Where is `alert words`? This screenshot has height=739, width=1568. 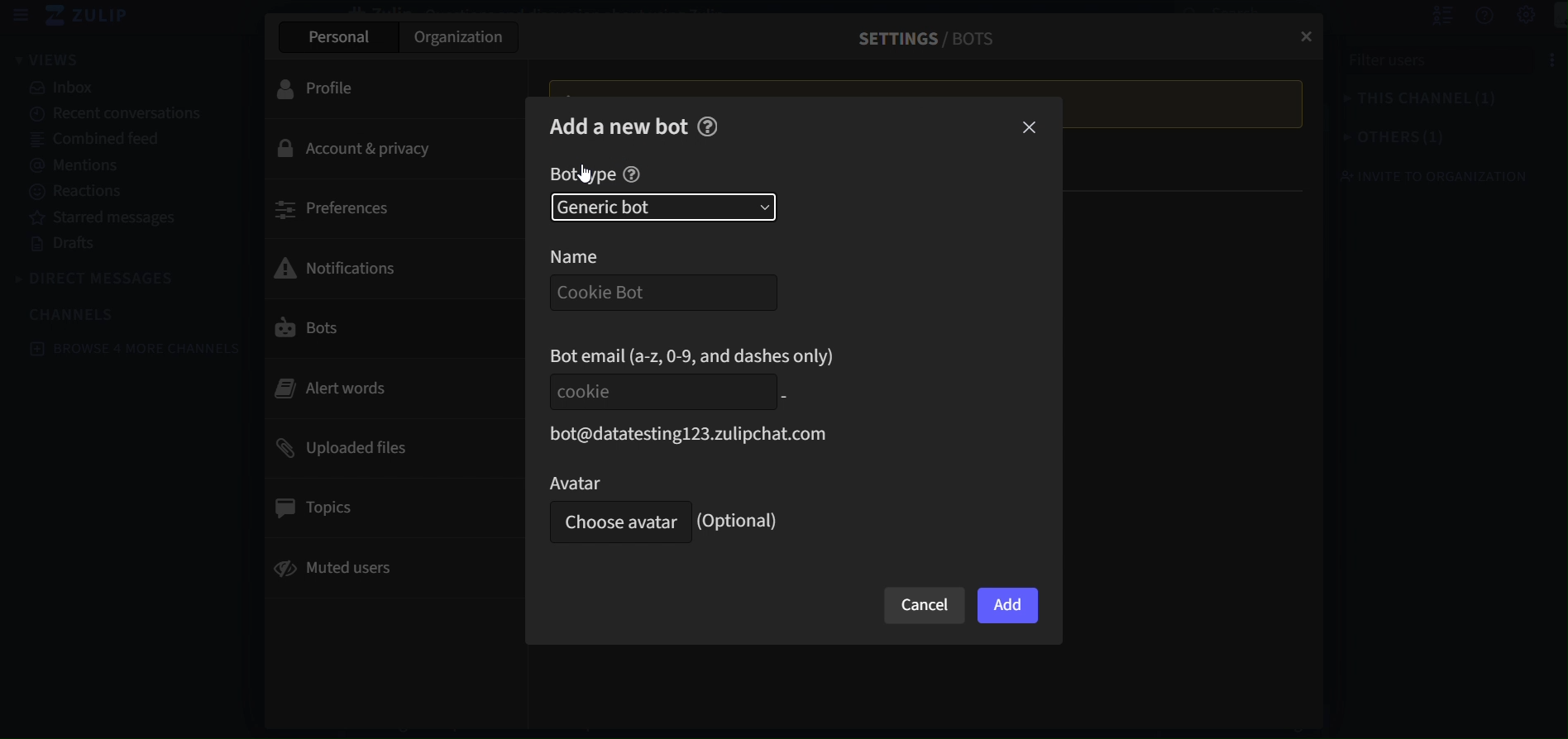
alert words is located at coordinates (380, 388).